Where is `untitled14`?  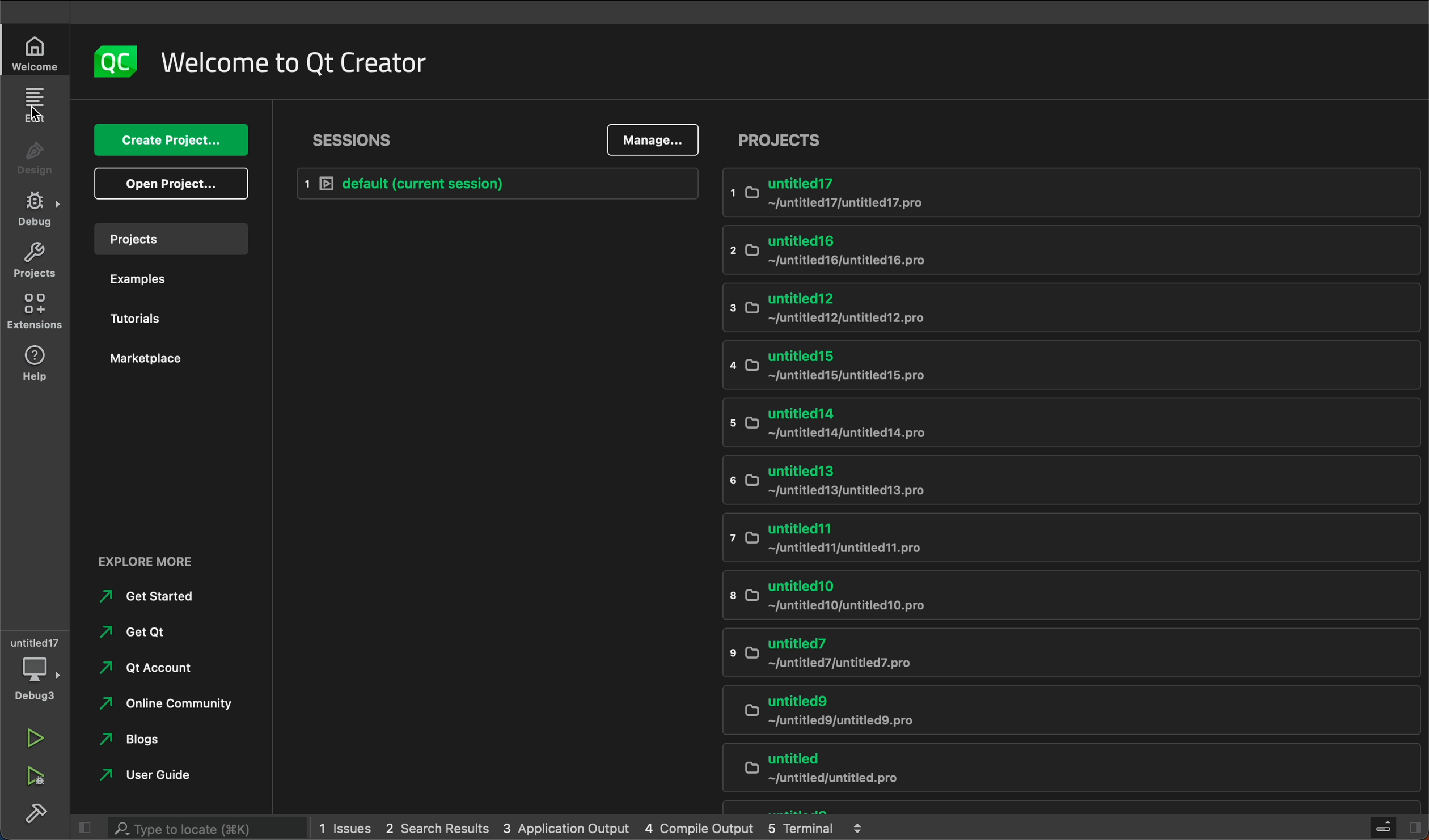 untitled14 is located at coordinates (1045, 422).